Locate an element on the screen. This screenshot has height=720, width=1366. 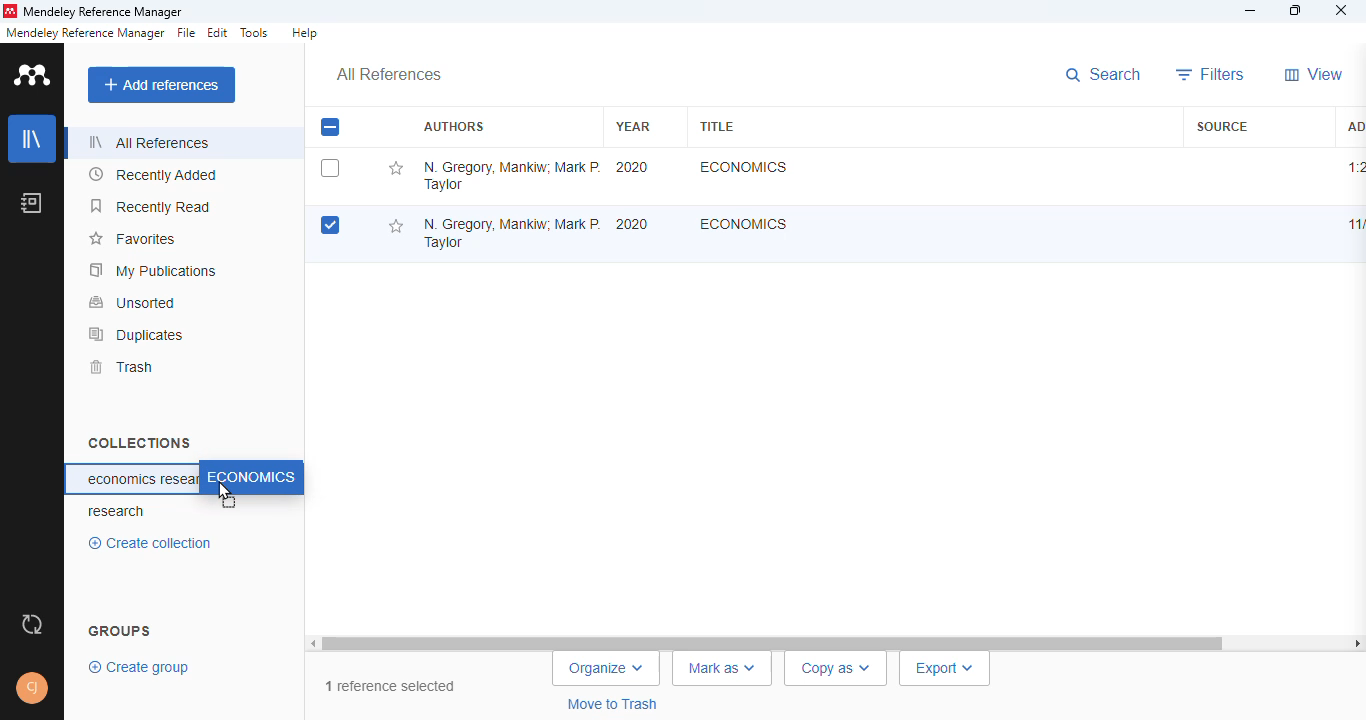
economics is located at coordinates (250, 478).